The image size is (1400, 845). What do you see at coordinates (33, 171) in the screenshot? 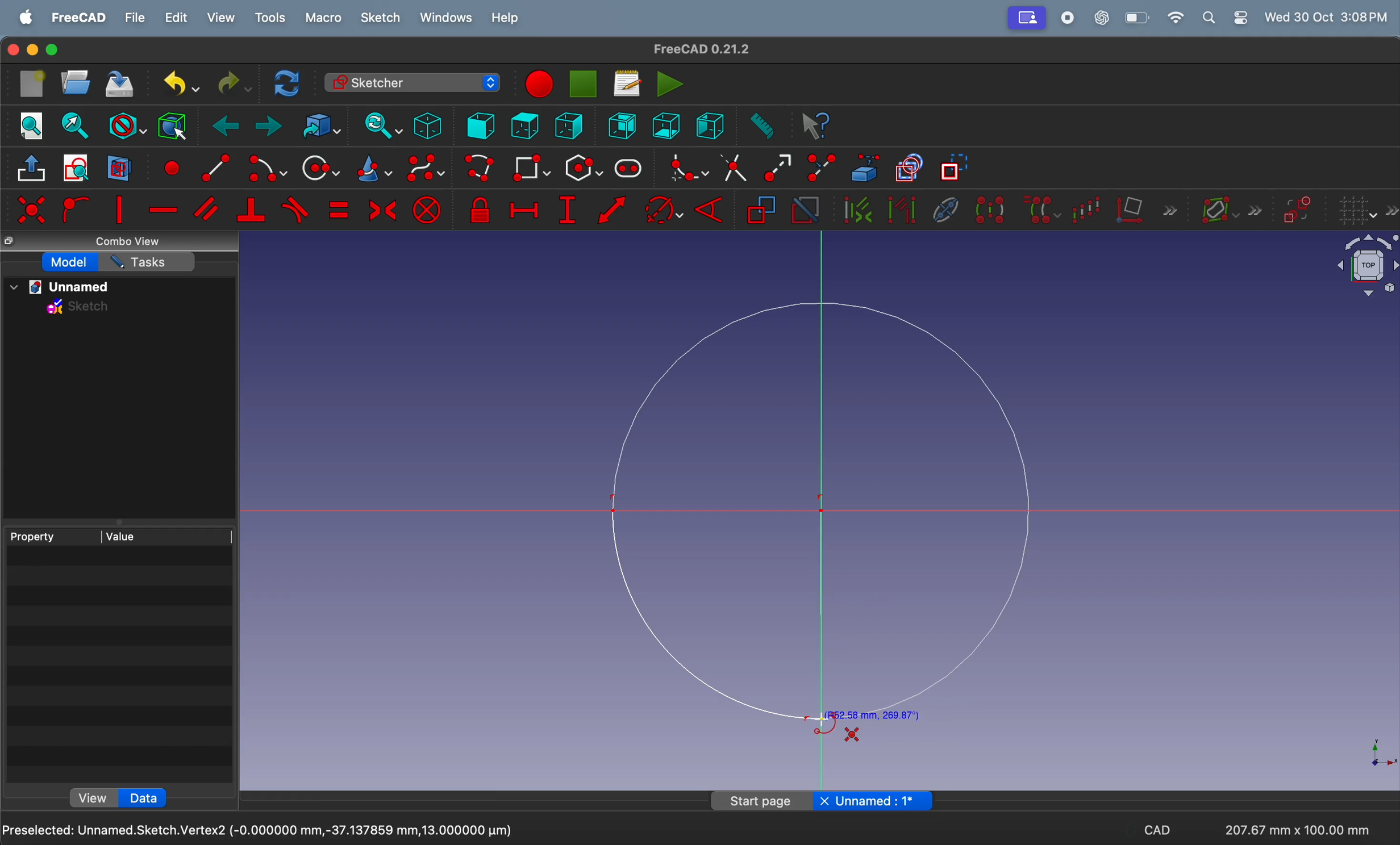
I see `leave sketch` at bounding box center [33, 171].